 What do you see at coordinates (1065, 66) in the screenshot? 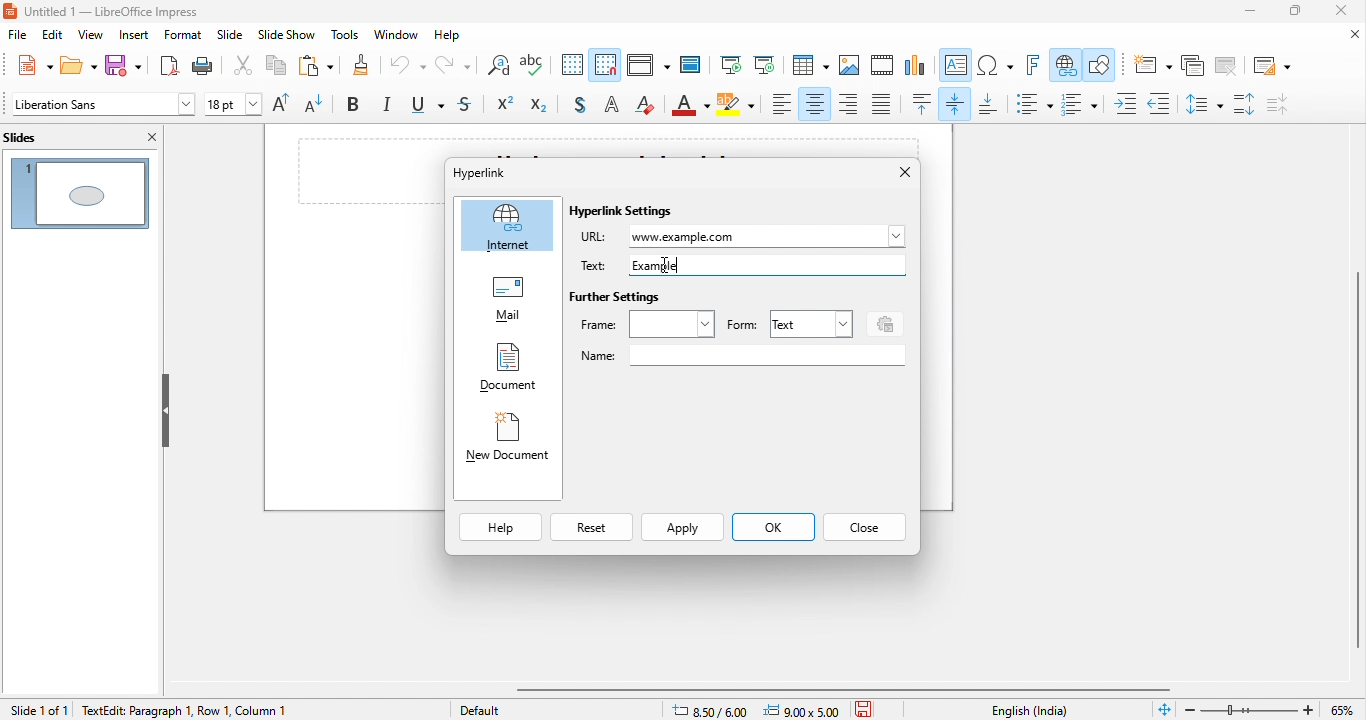
I see `hyperlink` at bounding box center [1065, 66].